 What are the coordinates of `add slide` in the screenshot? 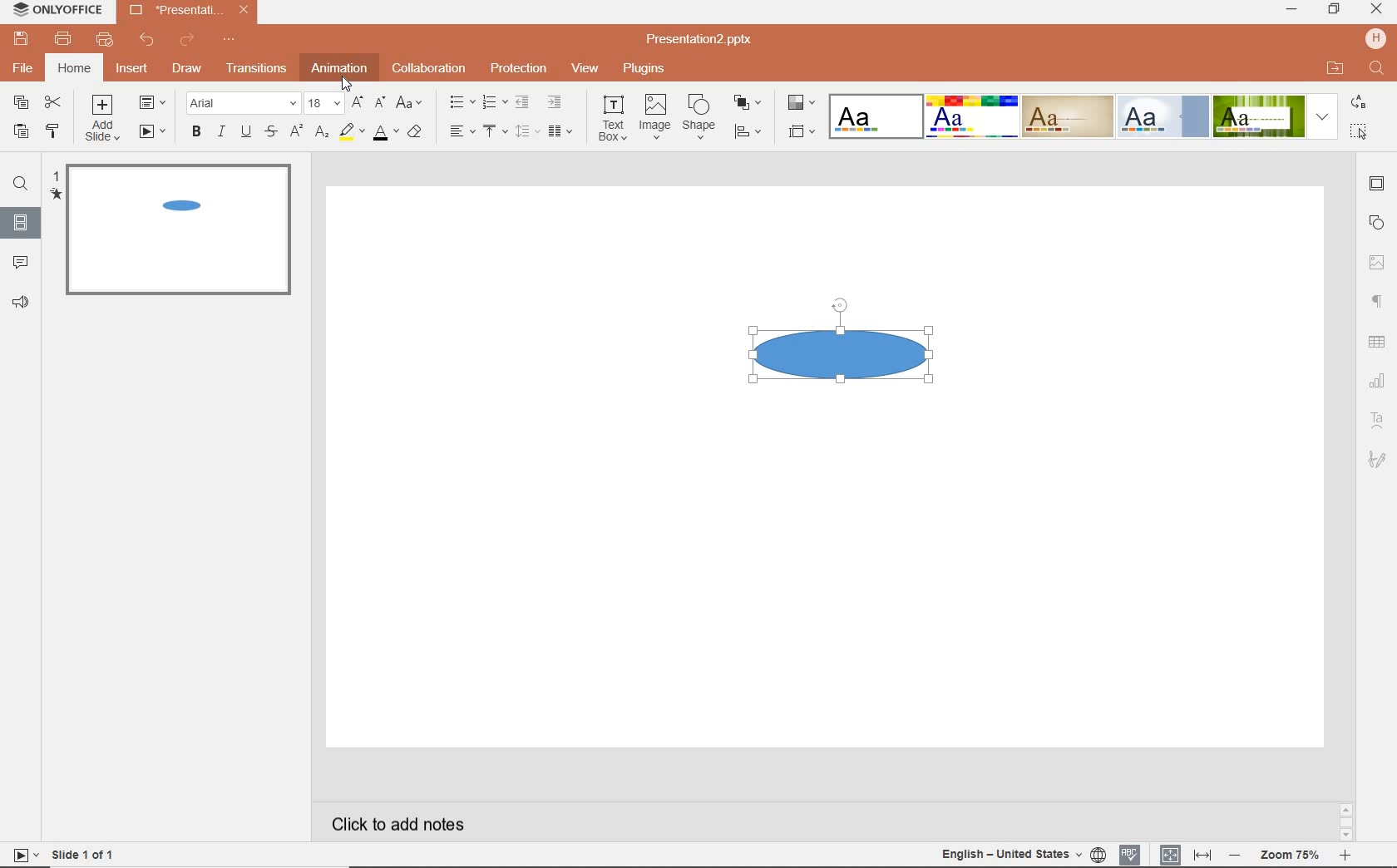 It's located at (103, 118).